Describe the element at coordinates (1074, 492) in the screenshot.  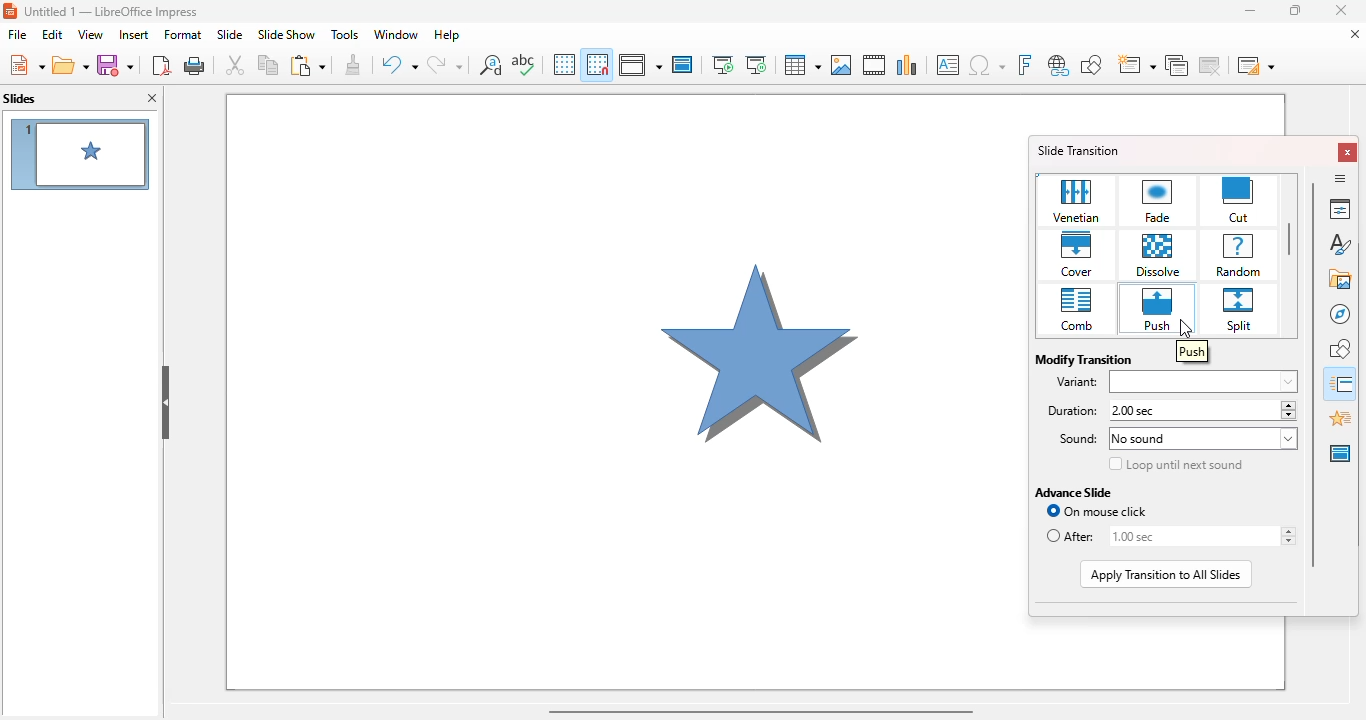
I see `advance slide` at that location.